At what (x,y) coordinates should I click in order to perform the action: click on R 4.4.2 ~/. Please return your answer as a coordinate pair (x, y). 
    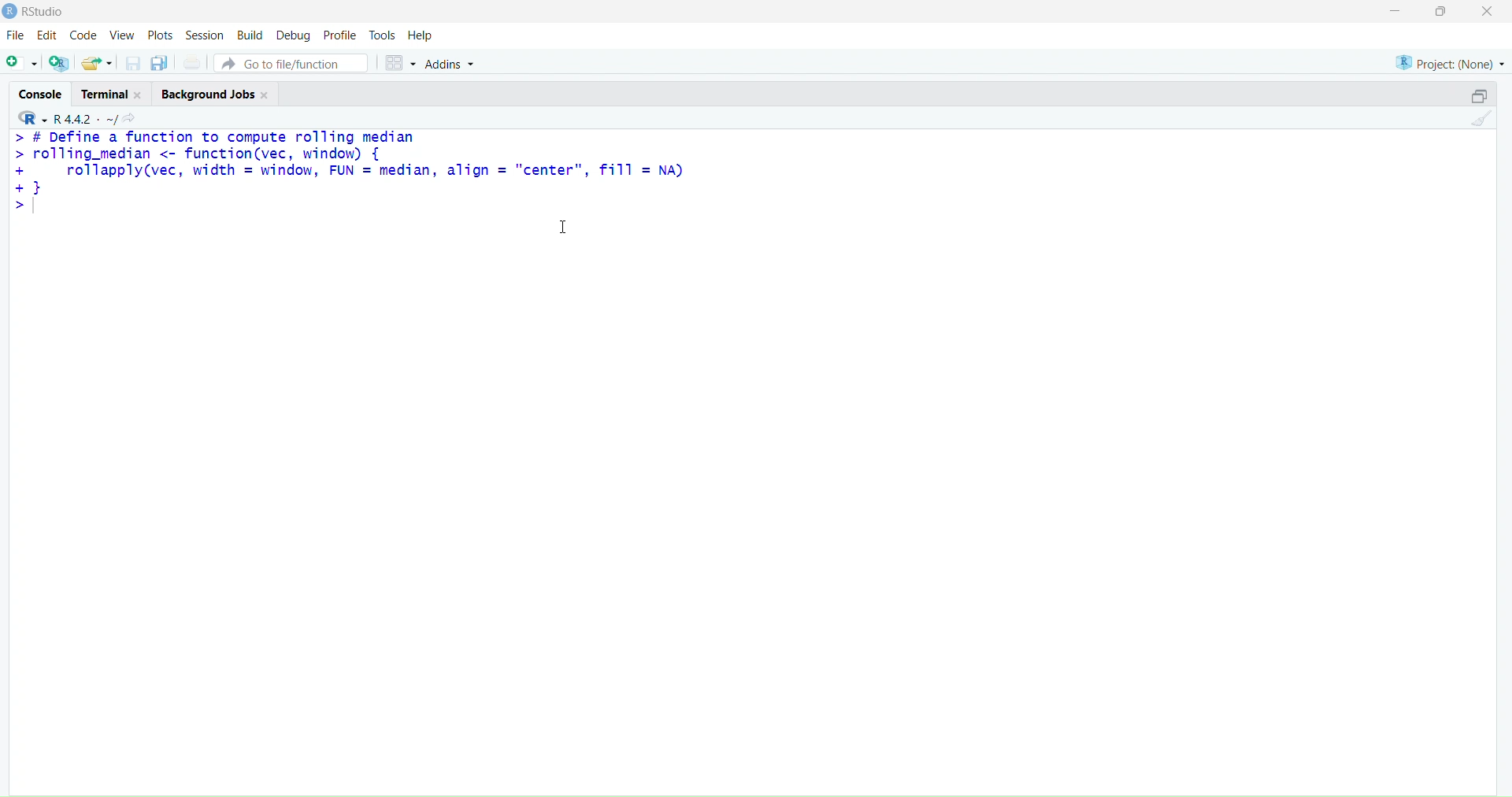
    Looking at the image, I should click on (85, 119).